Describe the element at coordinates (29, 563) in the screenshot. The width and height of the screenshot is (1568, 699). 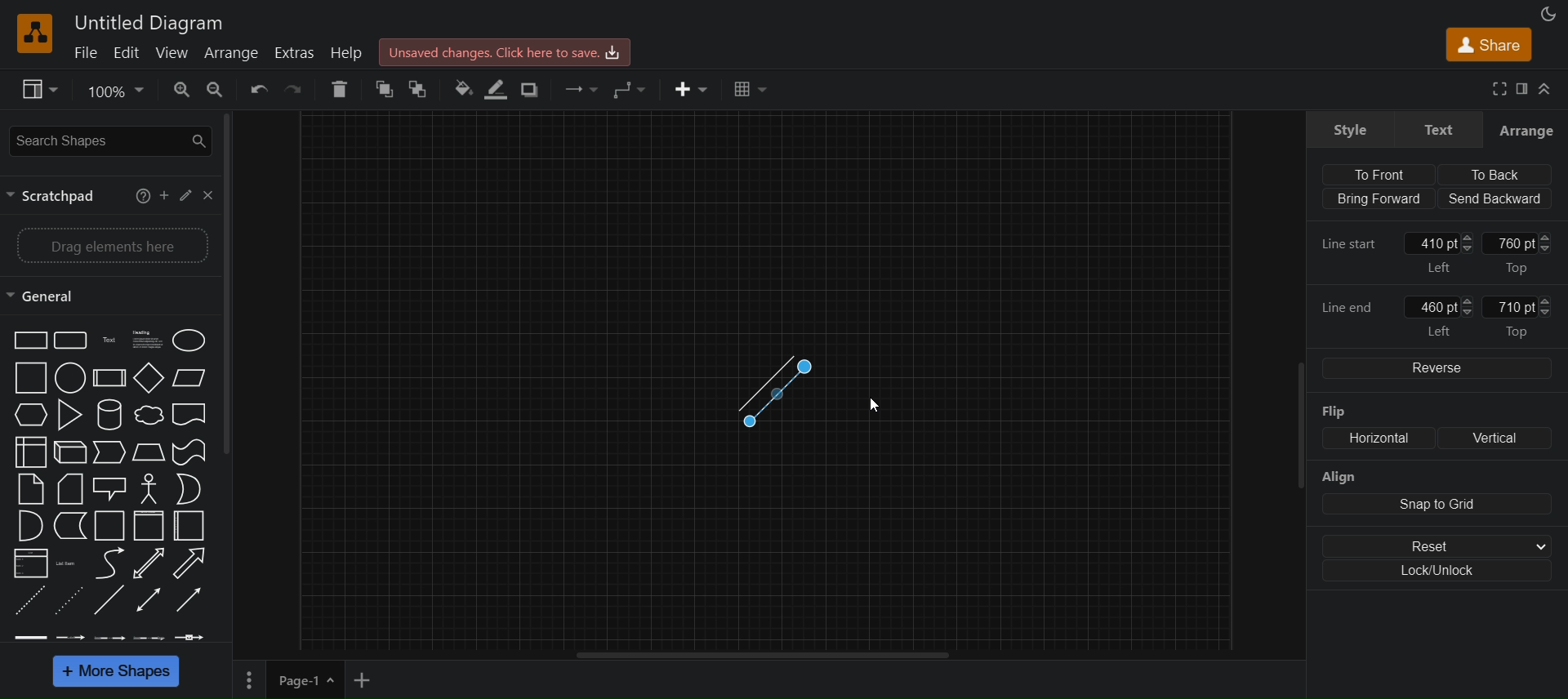
I see `List` at that location.